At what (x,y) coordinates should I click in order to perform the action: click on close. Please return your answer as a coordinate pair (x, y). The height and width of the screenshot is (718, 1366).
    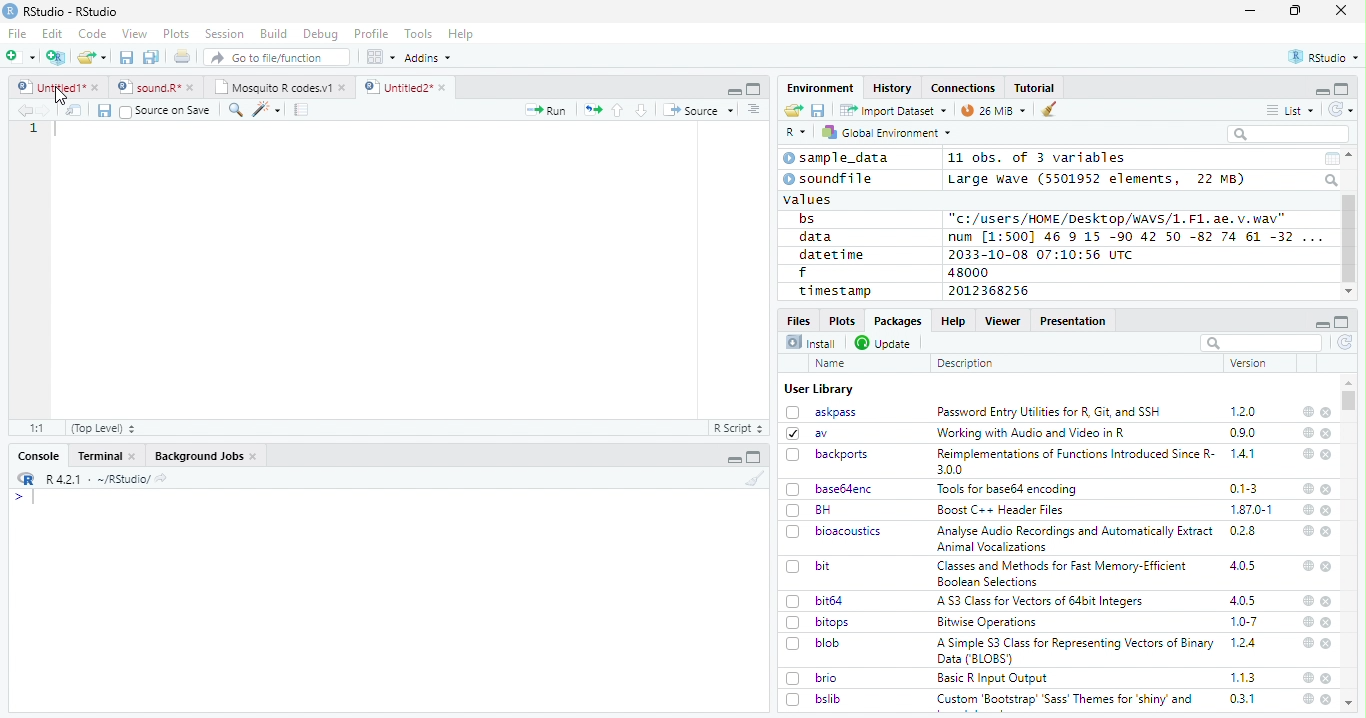
    Looking at the image, I should click on (1327, 455).